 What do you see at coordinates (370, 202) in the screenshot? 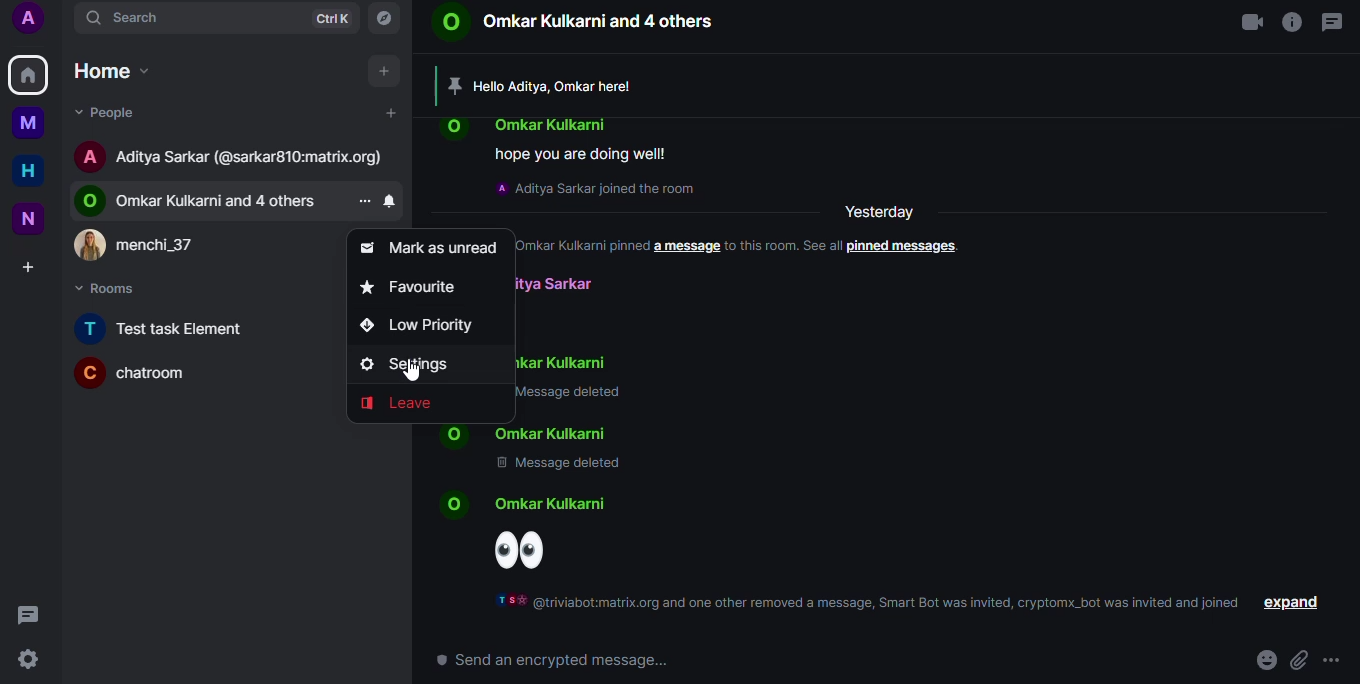
I see `room options` at bounding box center [370, 202].